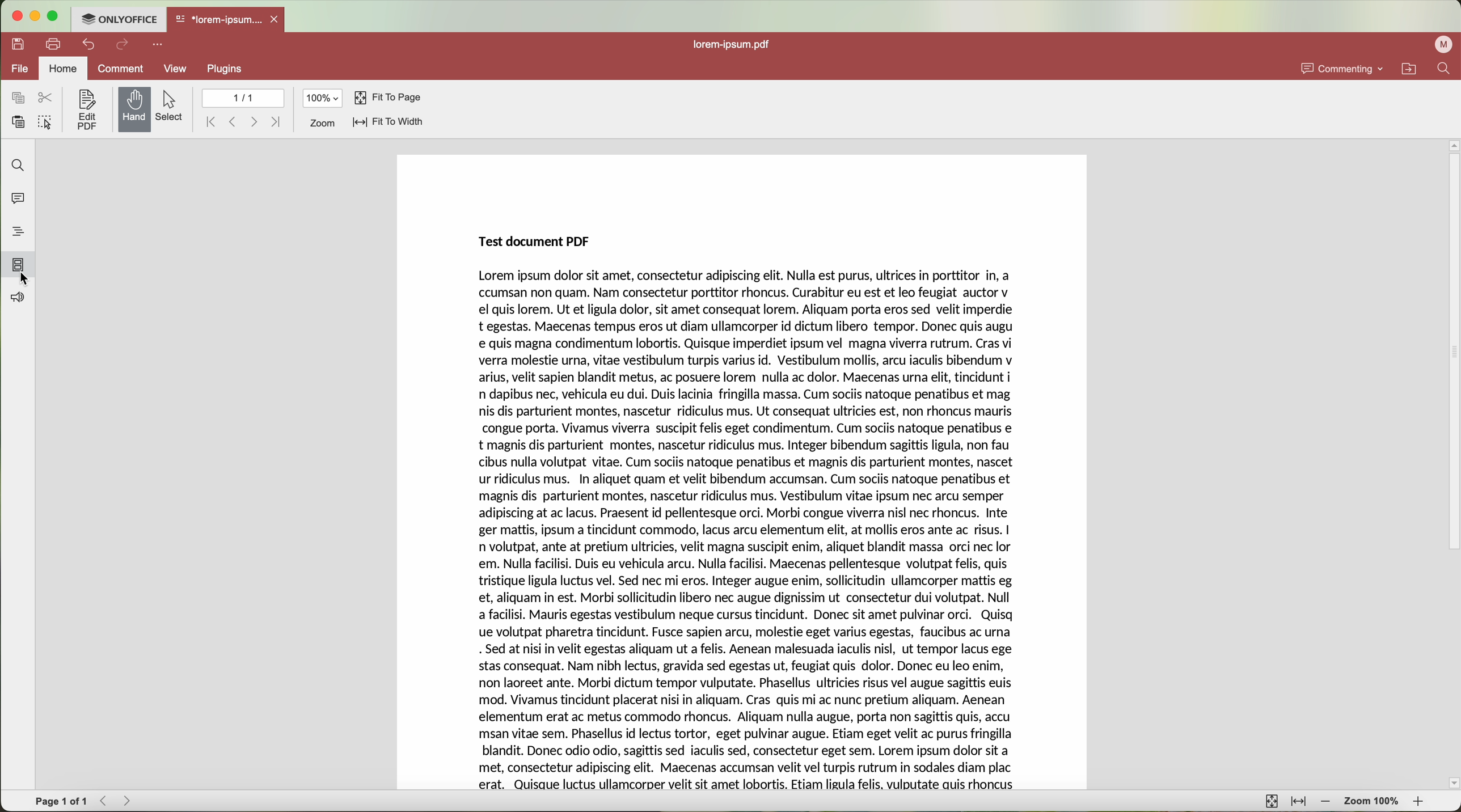  Describe the element at coordinates (531, 242) in the screenshot. I see `Test document PDF` at that location.